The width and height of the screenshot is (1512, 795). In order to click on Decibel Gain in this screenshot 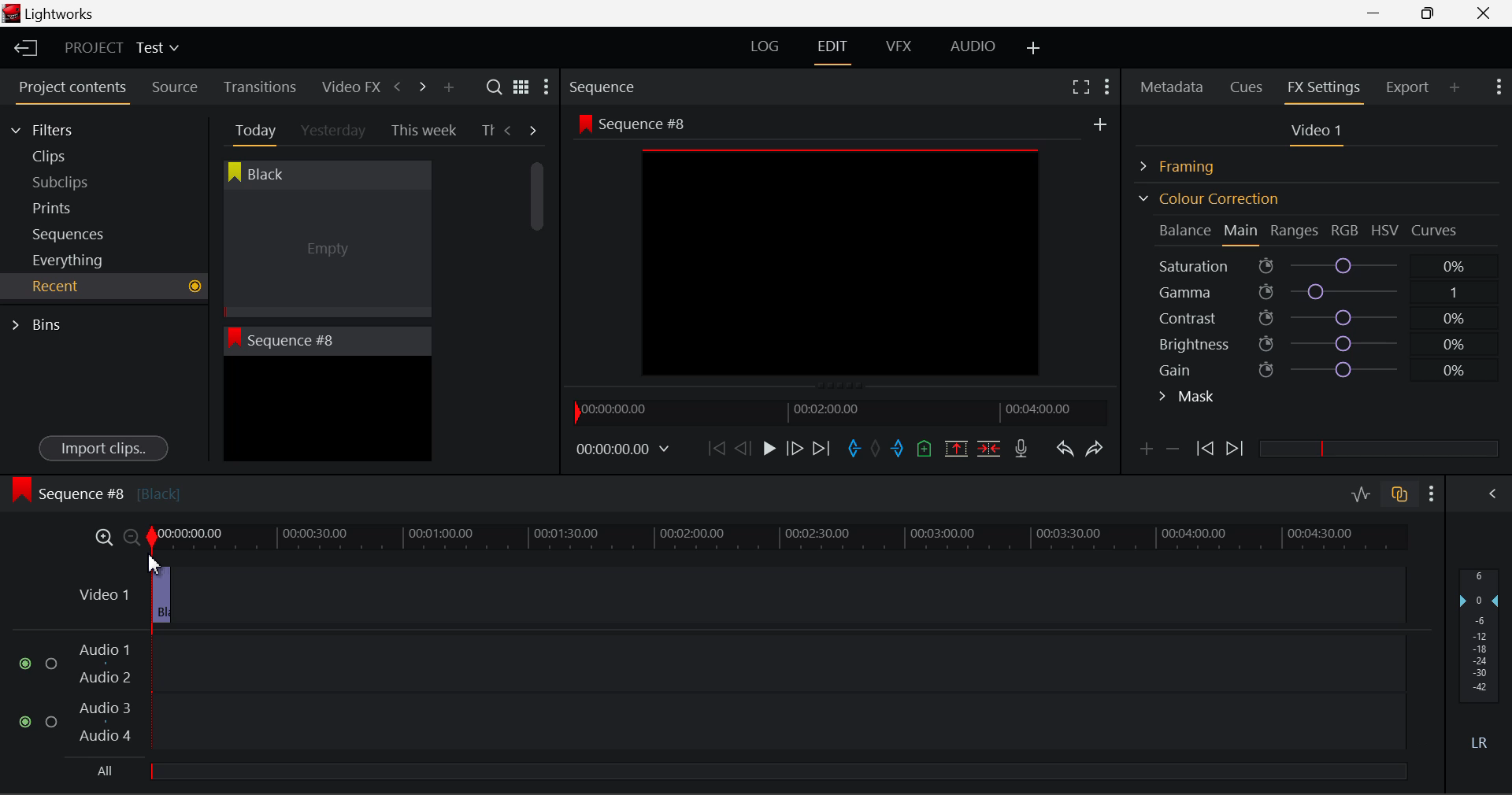, I will do `click(1478, 663)`.